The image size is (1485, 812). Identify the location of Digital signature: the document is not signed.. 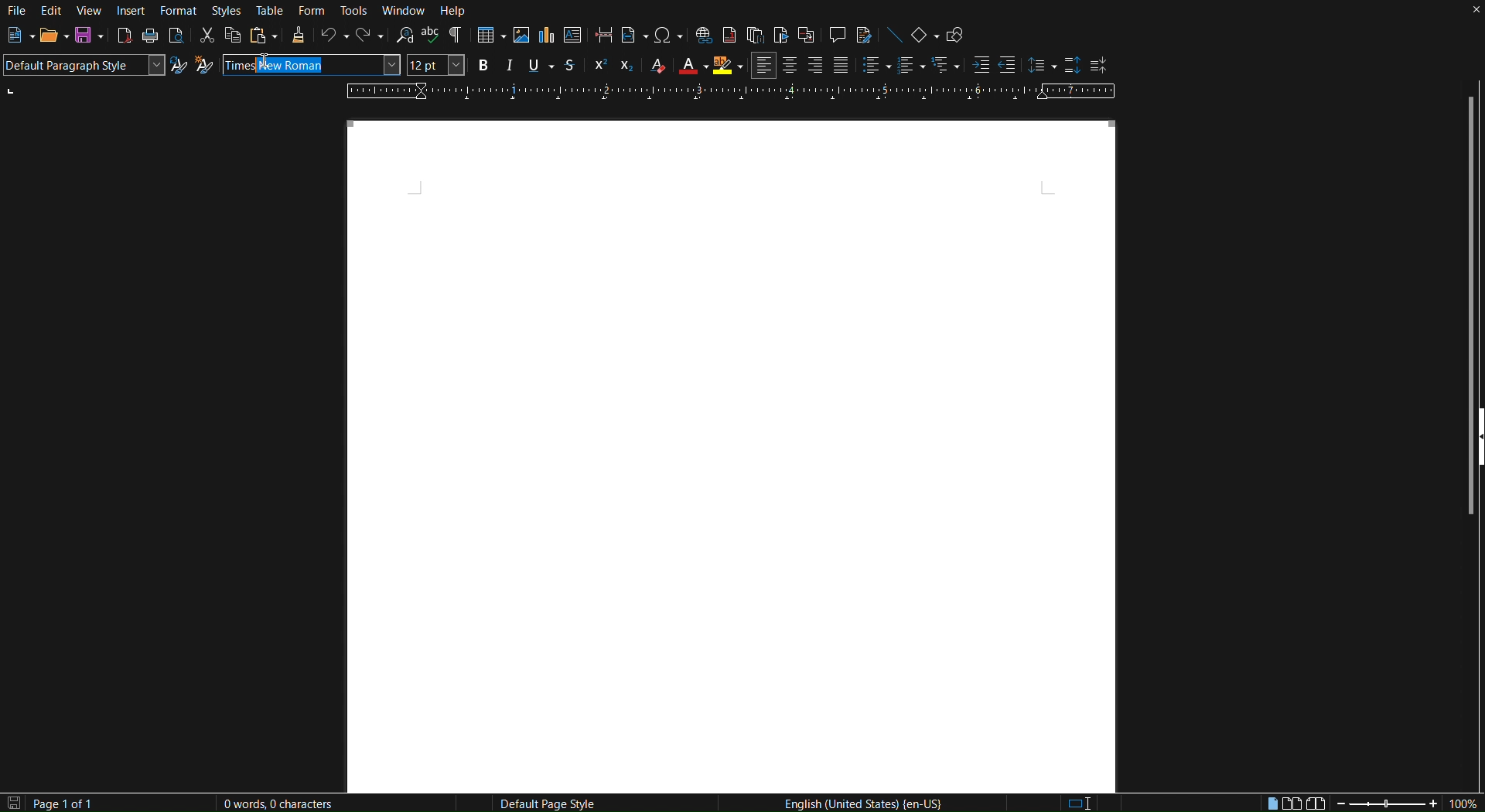
(1138, 803).